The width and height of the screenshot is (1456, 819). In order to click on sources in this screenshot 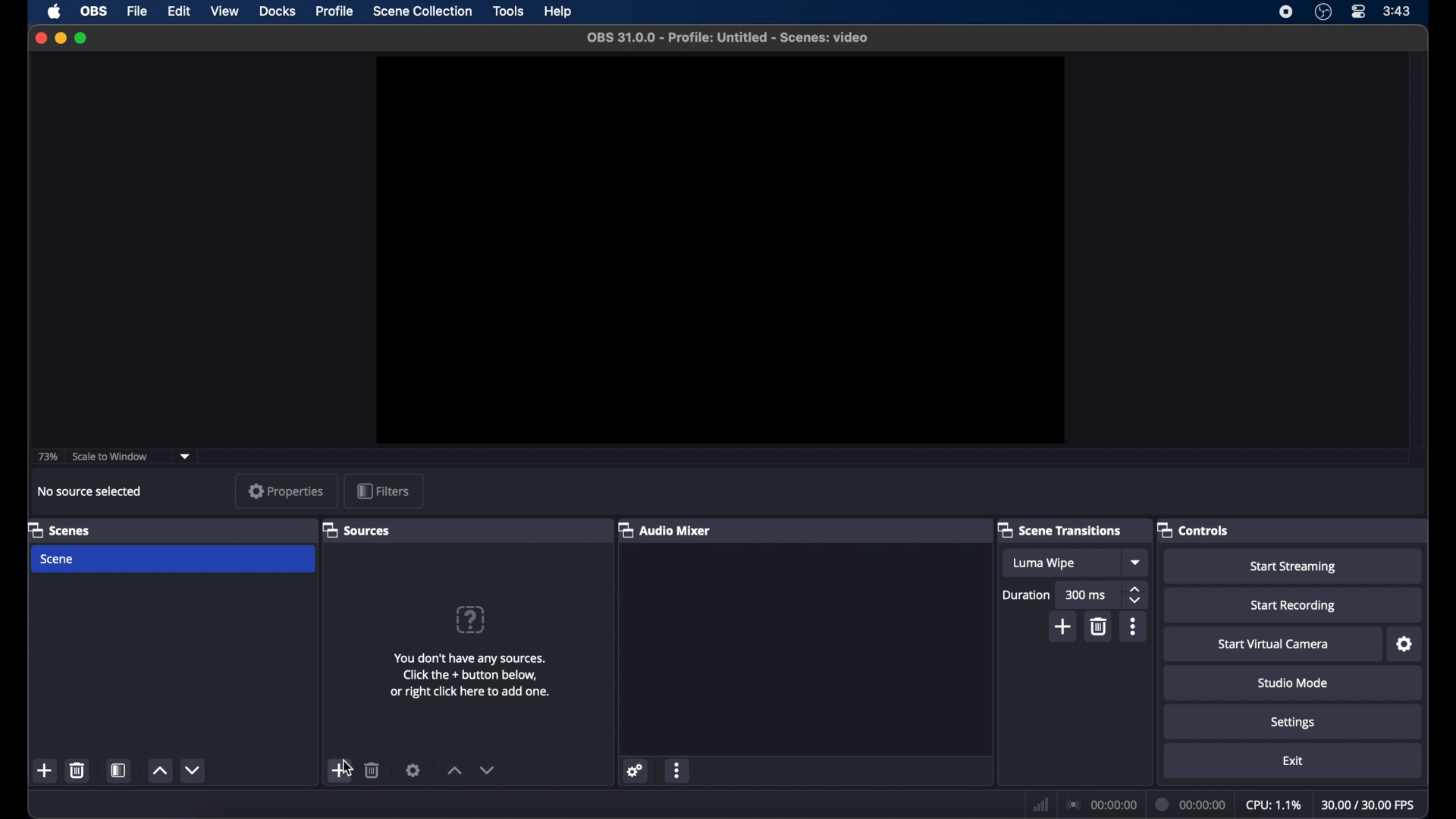, I will do `click(356, 531)`.